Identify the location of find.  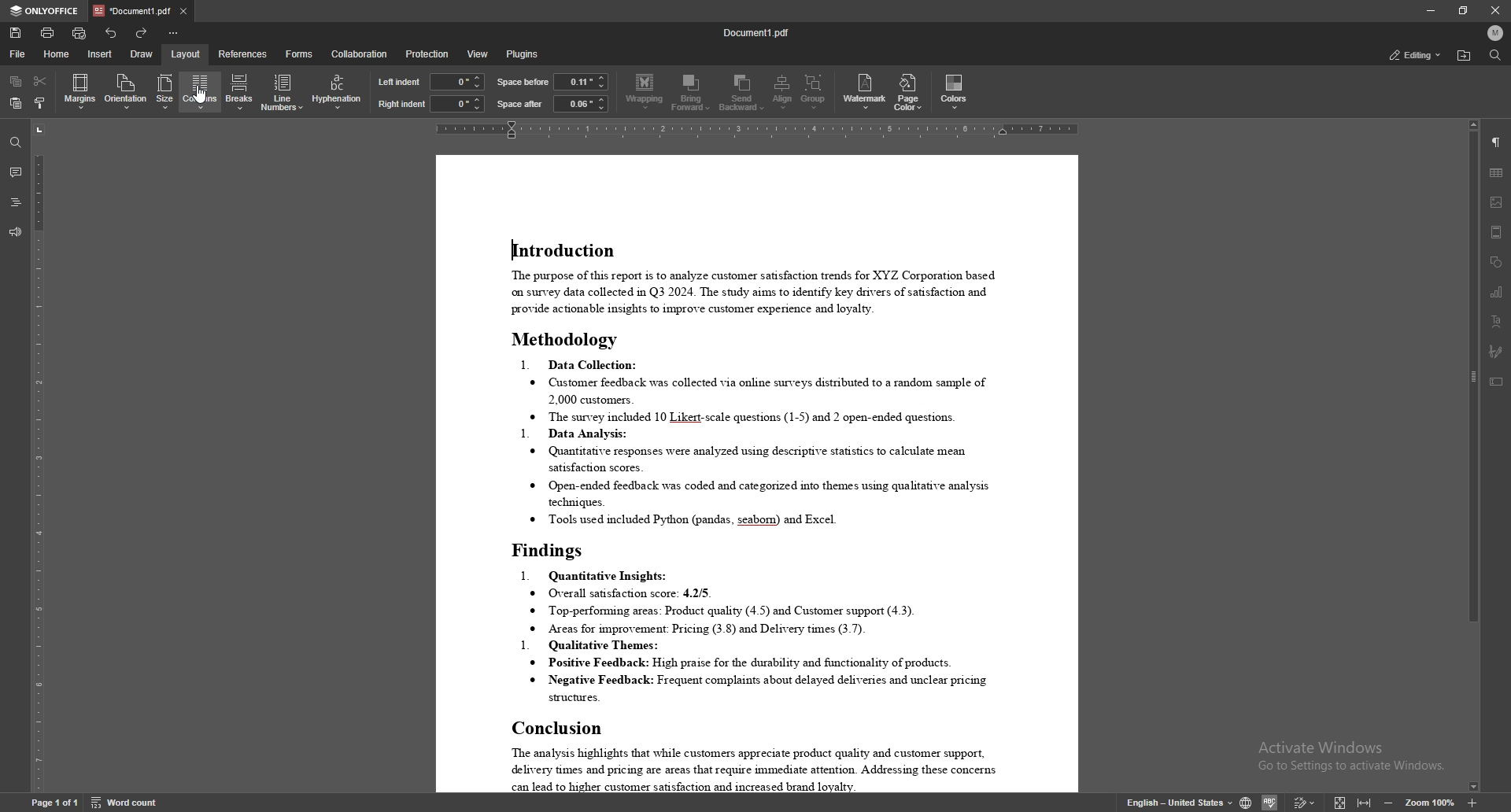
(1494, 55).